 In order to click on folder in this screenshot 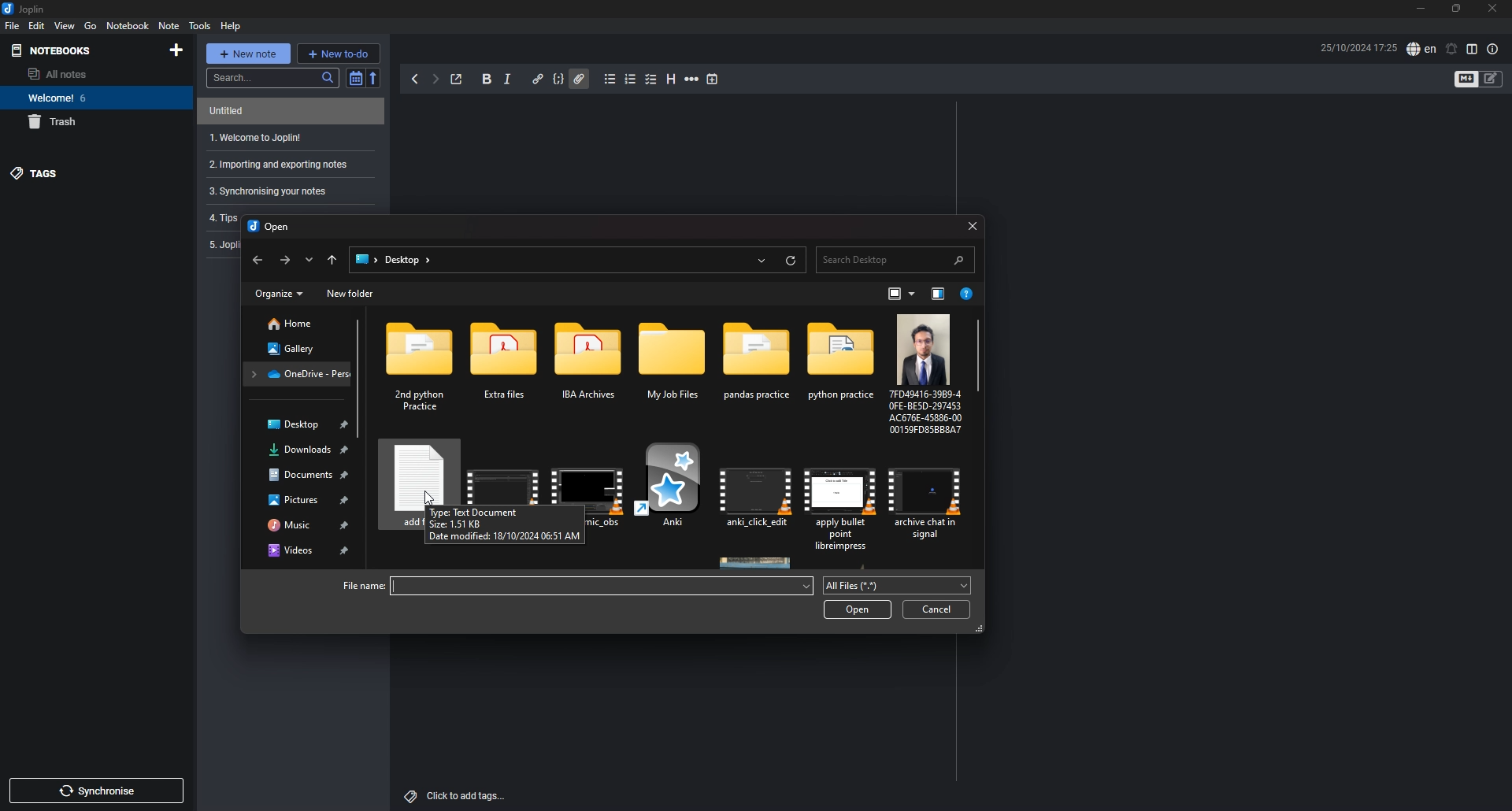, I will do `click(674, 369)`.